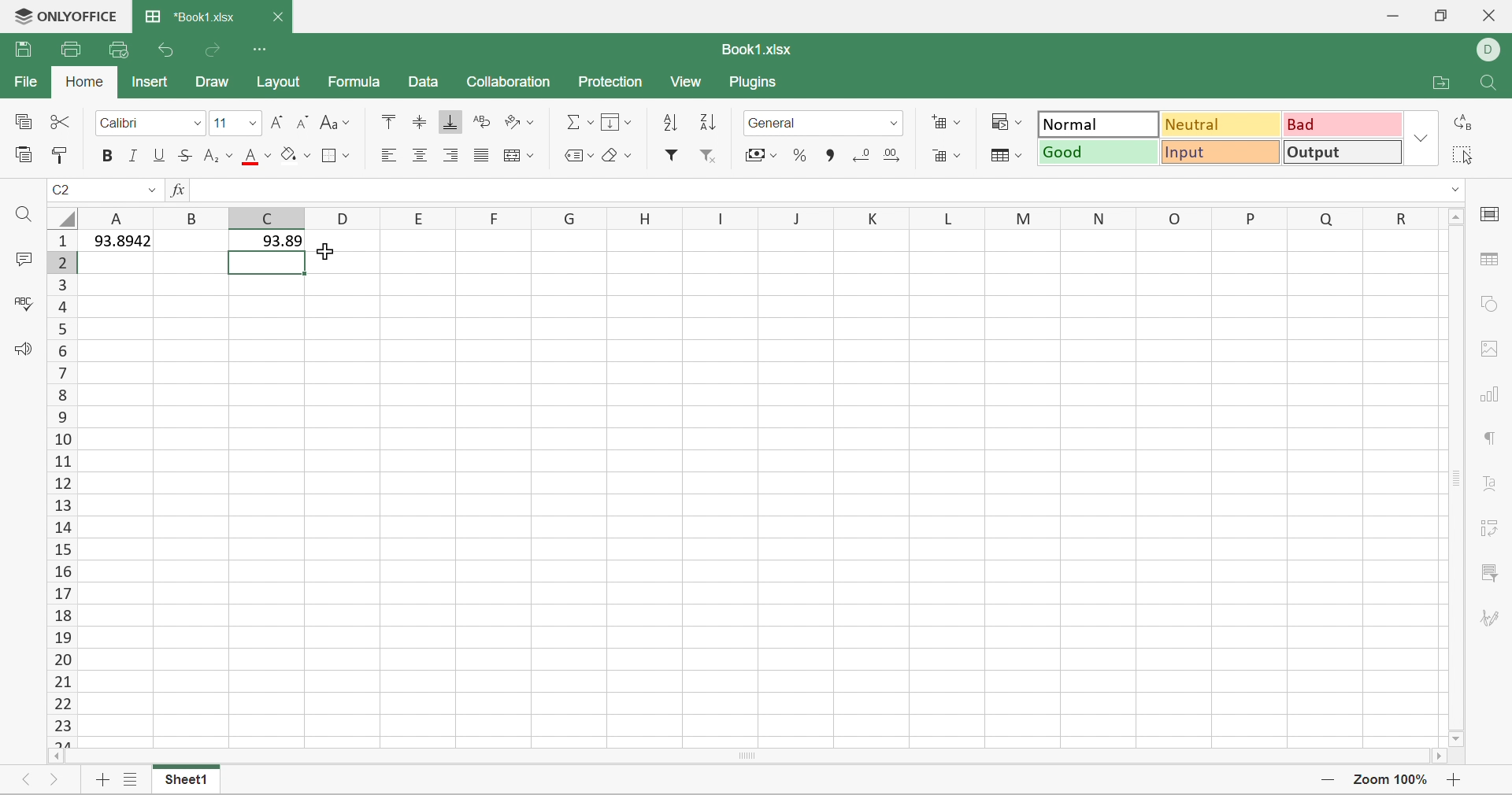  I want to click on Percent style, so click(801, 157).